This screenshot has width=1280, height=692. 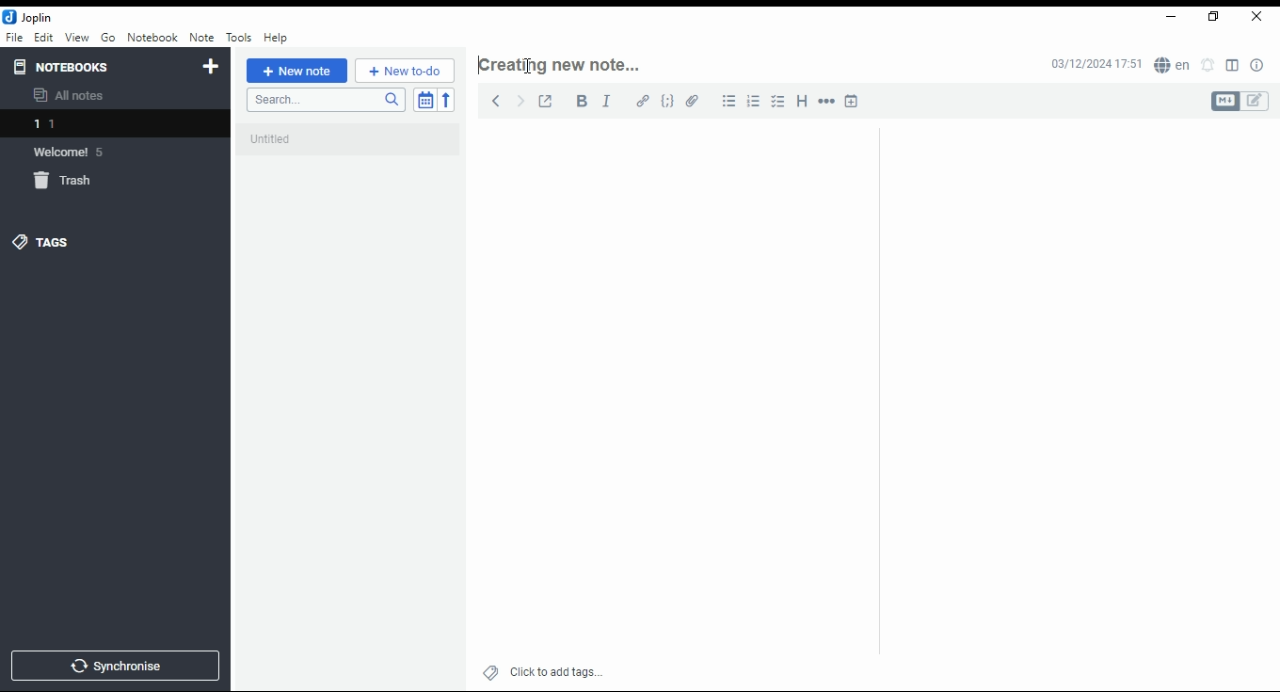 What do you see at coordinates (14, 37) in the screenshot?
I see `file` at bounding box center [14, 37].